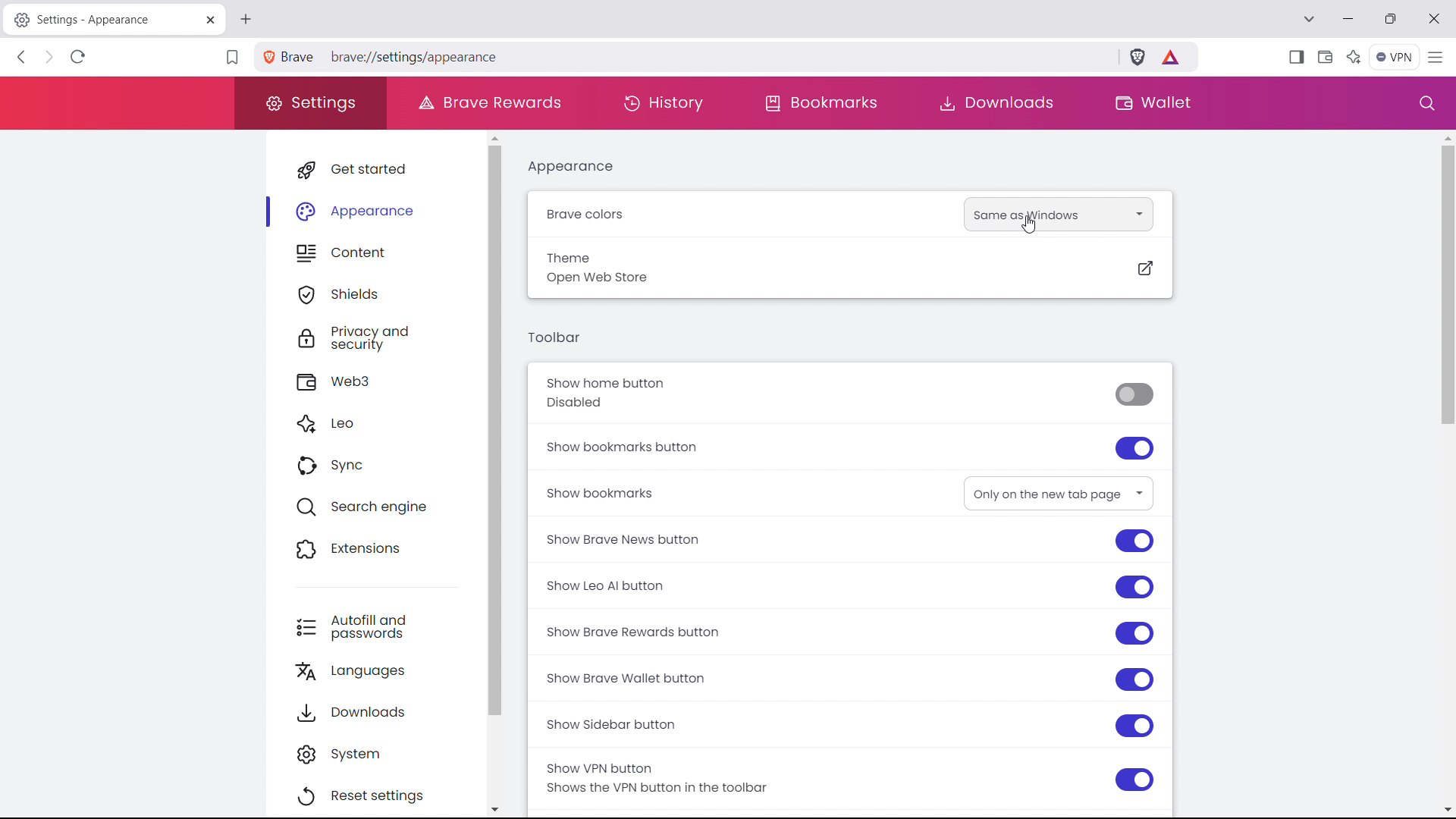  What do you see at coordinates (385, 667) in the screenshot?
I see `languages` at bounding box center [385, 667].